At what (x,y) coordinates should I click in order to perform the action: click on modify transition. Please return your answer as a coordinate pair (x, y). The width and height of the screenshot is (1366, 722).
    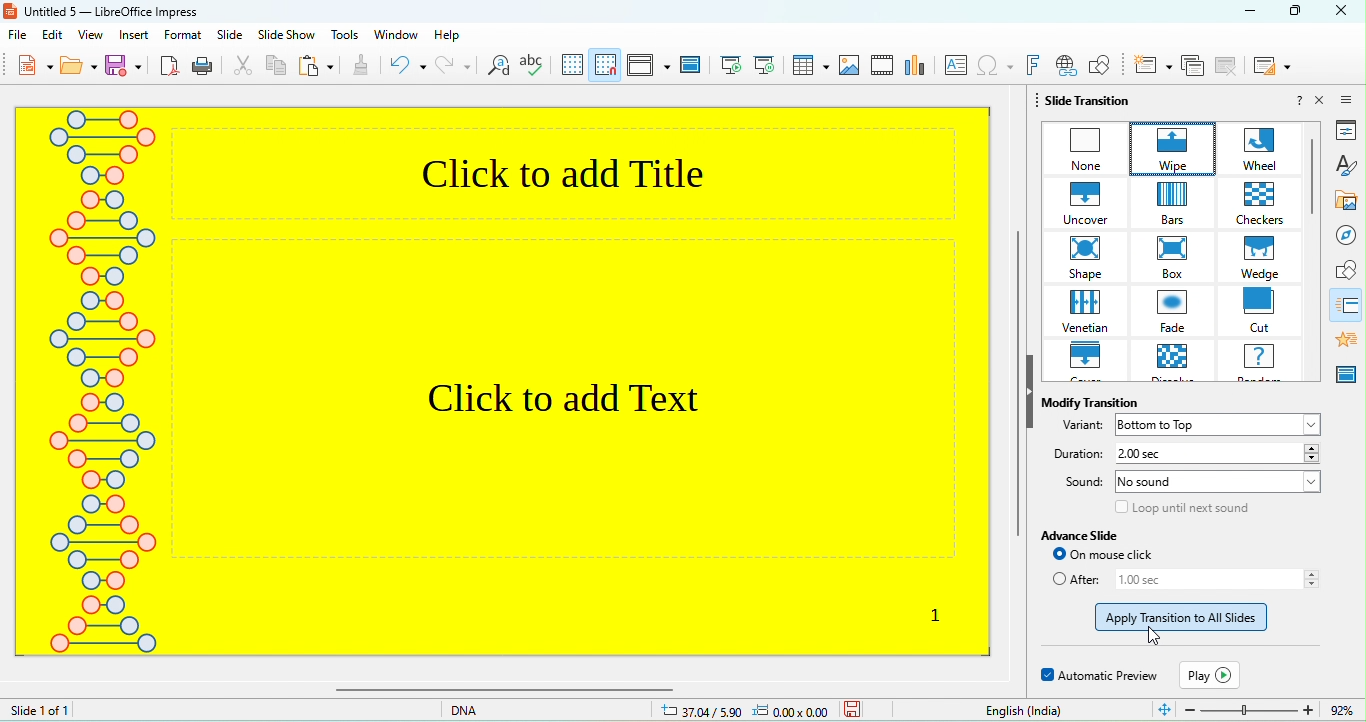
    Looking at the image, I should click on (1088, 399).